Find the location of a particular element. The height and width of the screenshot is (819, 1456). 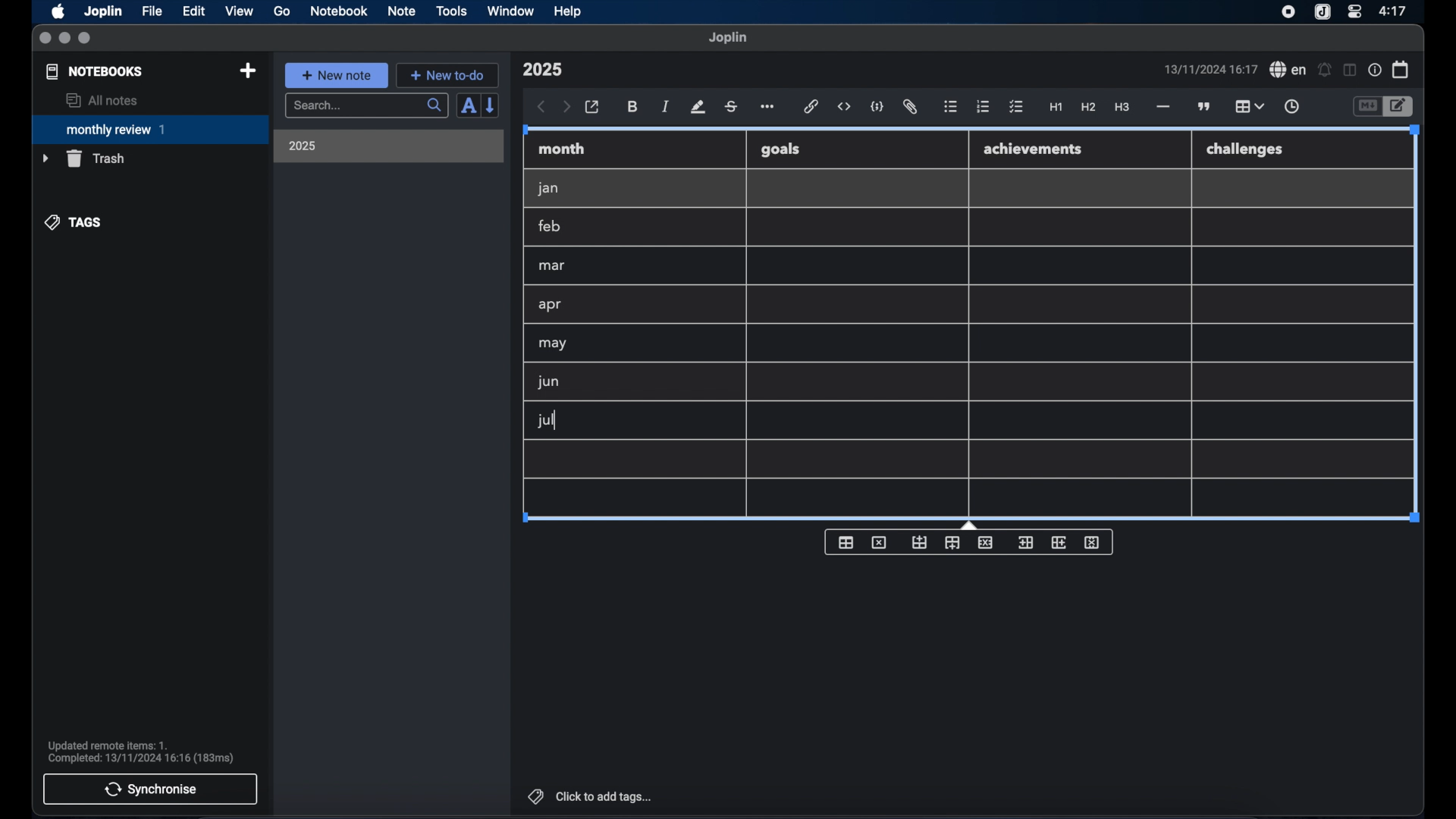

hyperlink is located at coordinates (811, 106).